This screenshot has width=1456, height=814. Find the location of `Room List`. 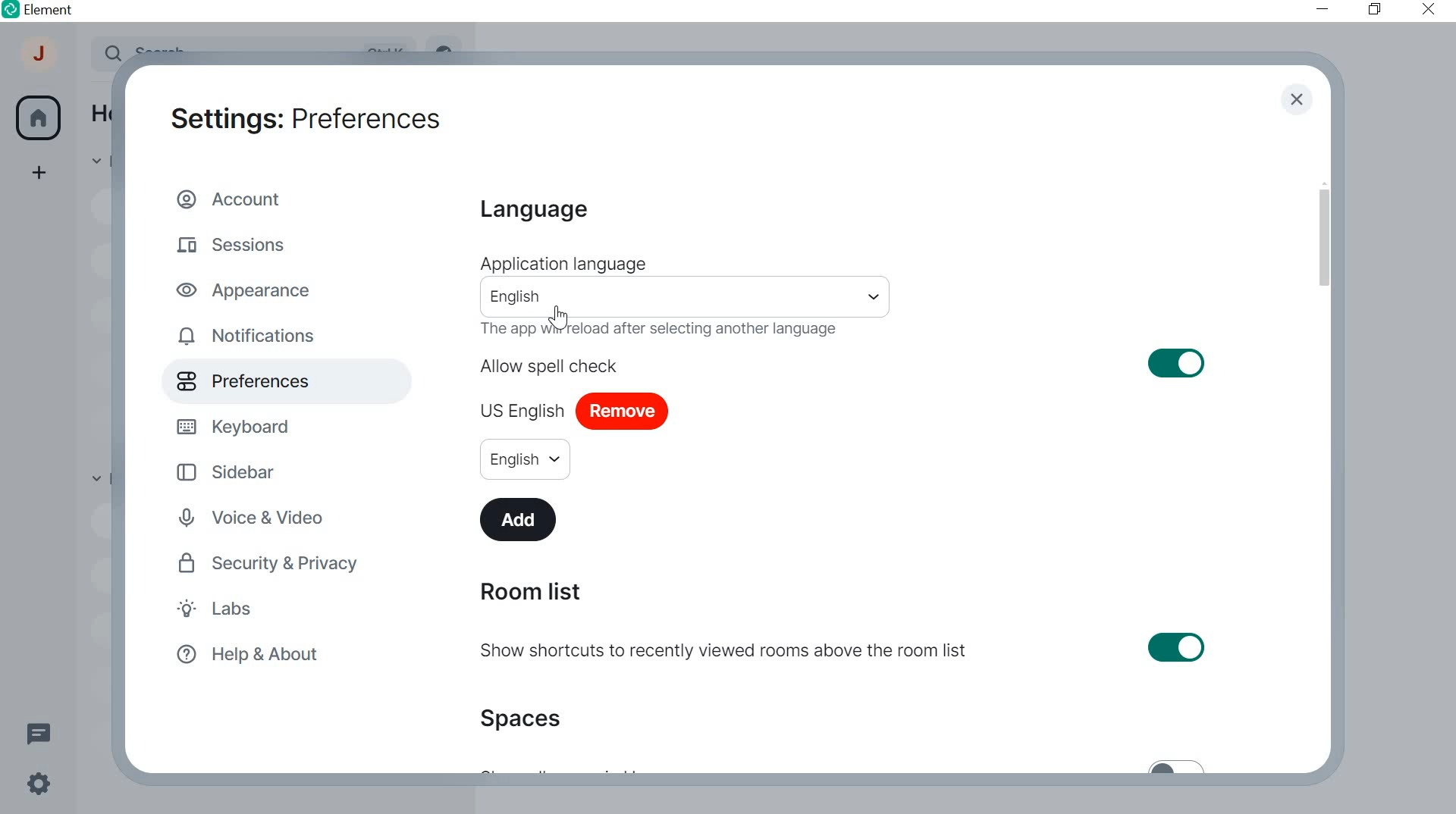

Room List is located at coordinates (529, 592).